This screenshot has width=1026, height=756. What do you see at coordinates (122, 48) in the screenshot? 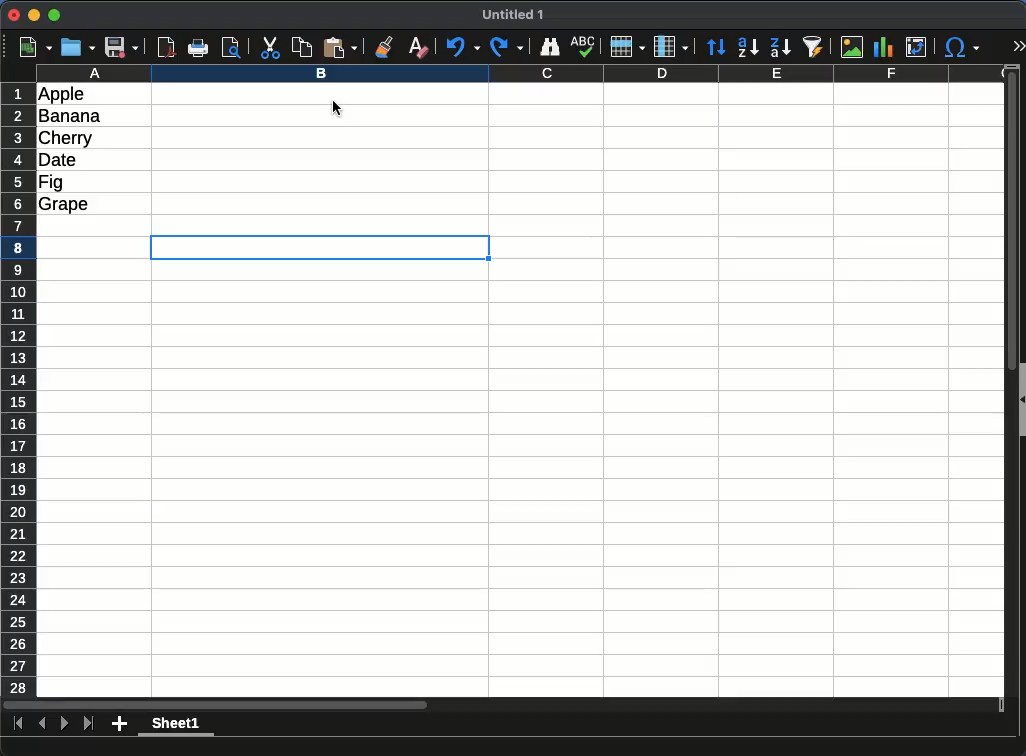
I see `save` at bounding box center [122, 48].